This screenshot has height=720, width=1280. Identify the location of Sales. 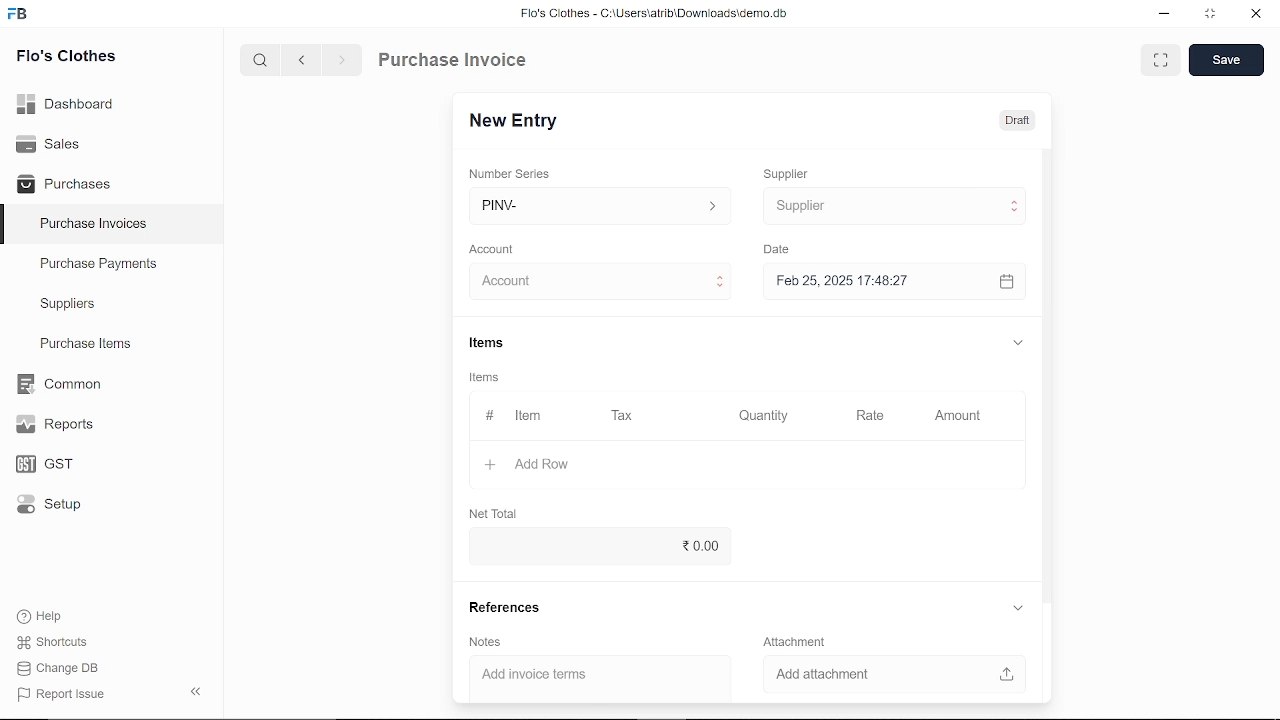
(48, 142).